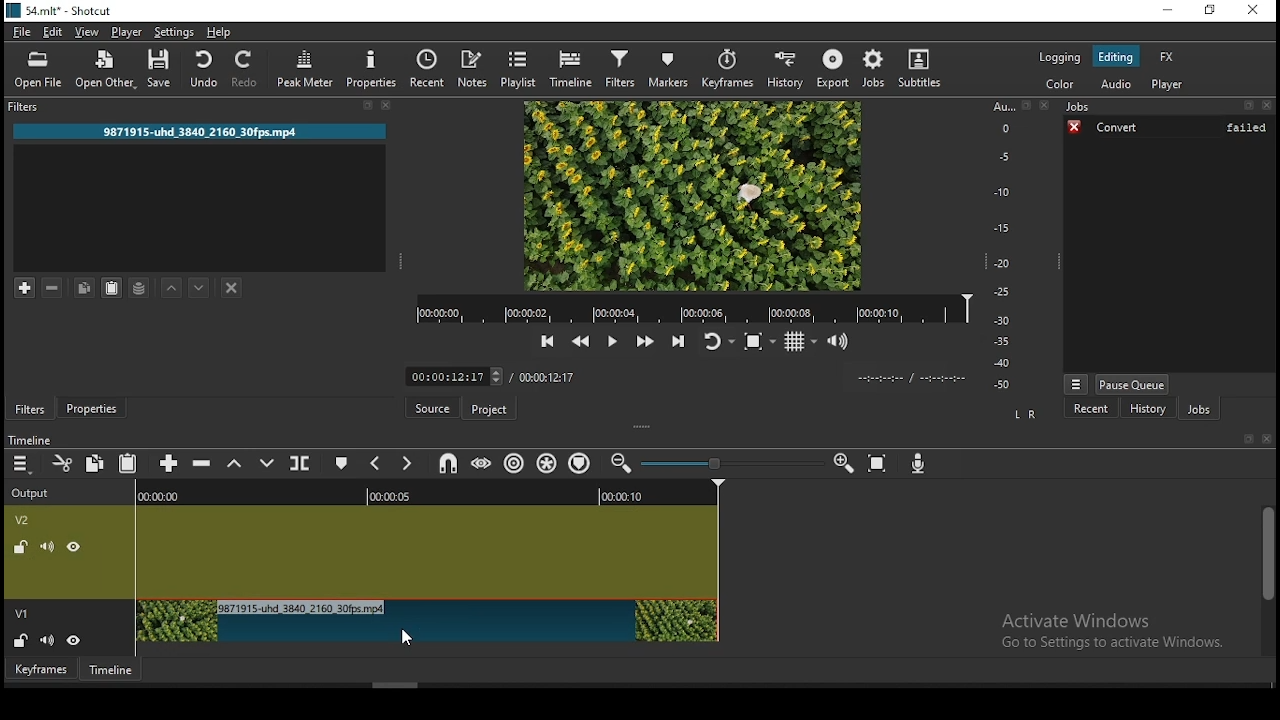  What do you see at coordinates (1163, 10) in the screenshot?
I see `minimize` at bounding box center [1163, 10].